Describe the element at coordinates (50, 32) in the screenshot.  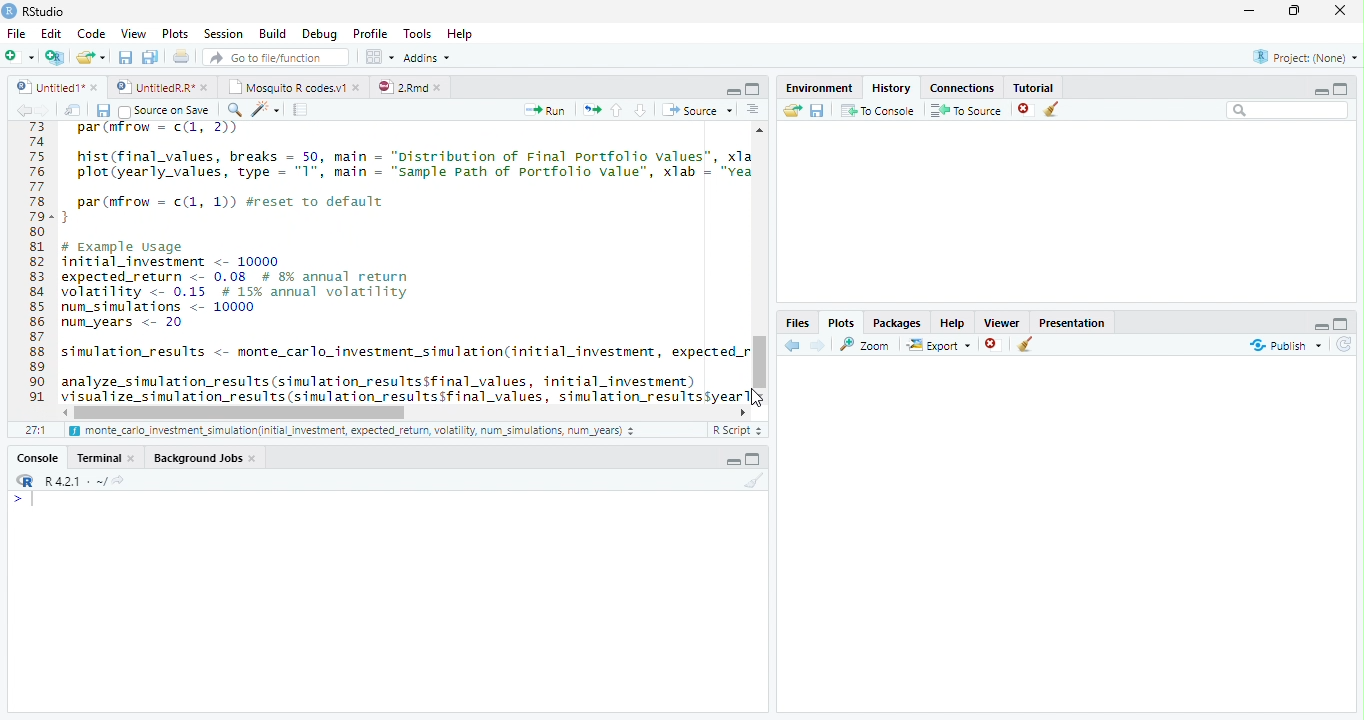
I see `Edit` at that location.